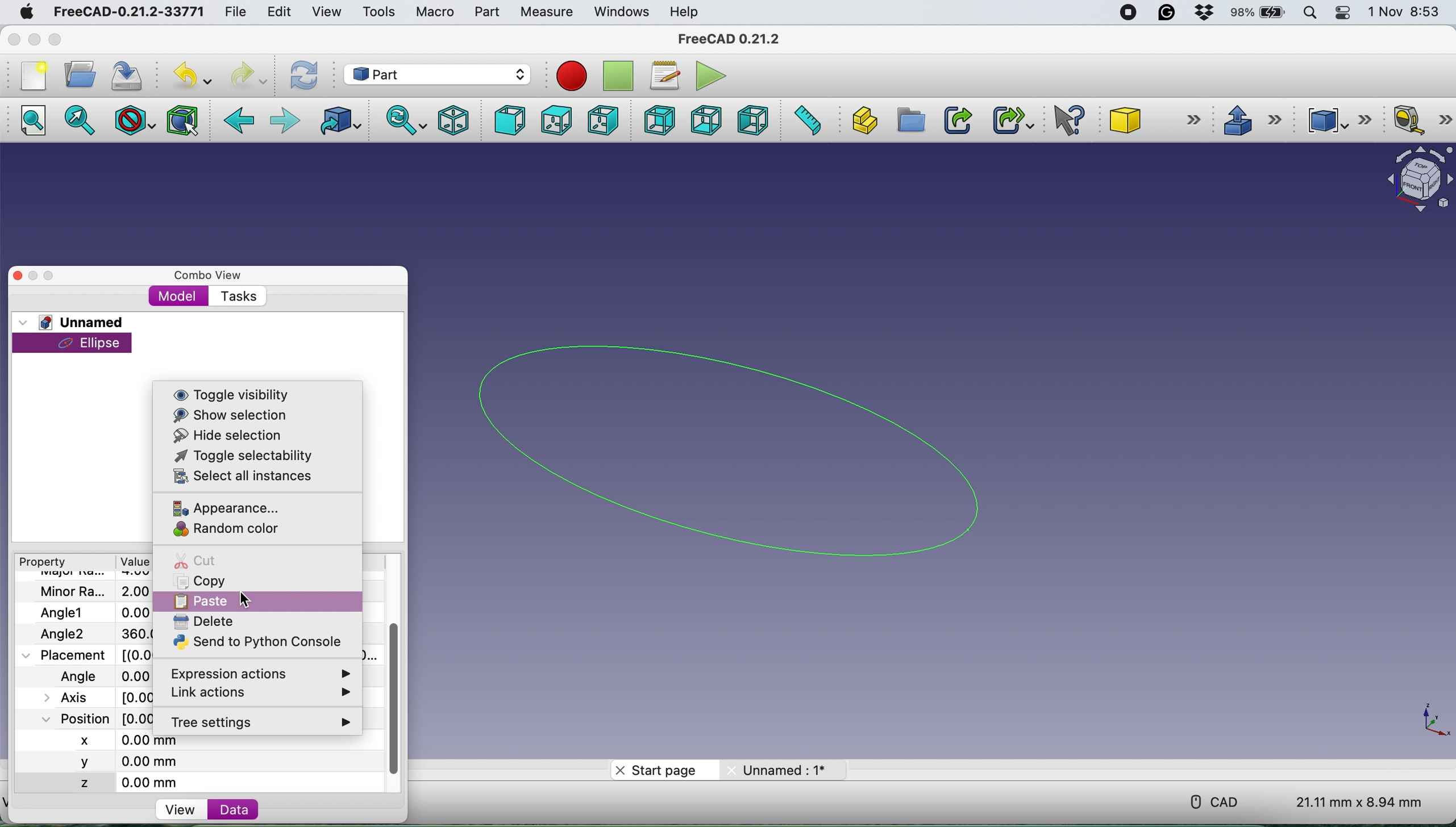  Describe the element at coordinates (34, 76) in the screenshot. I see `new` at that location.